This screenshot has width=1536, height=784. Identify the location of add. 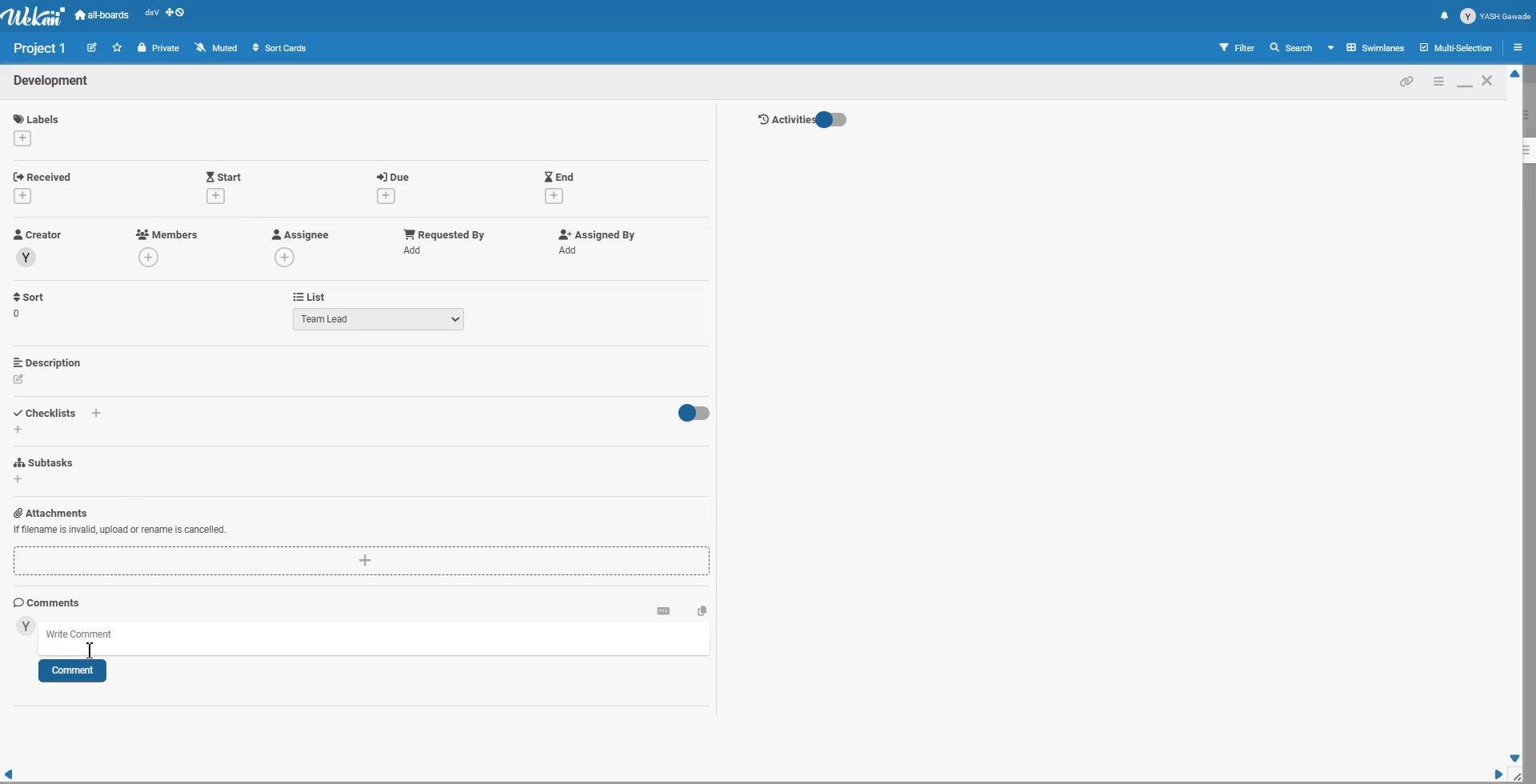
(571, 250).